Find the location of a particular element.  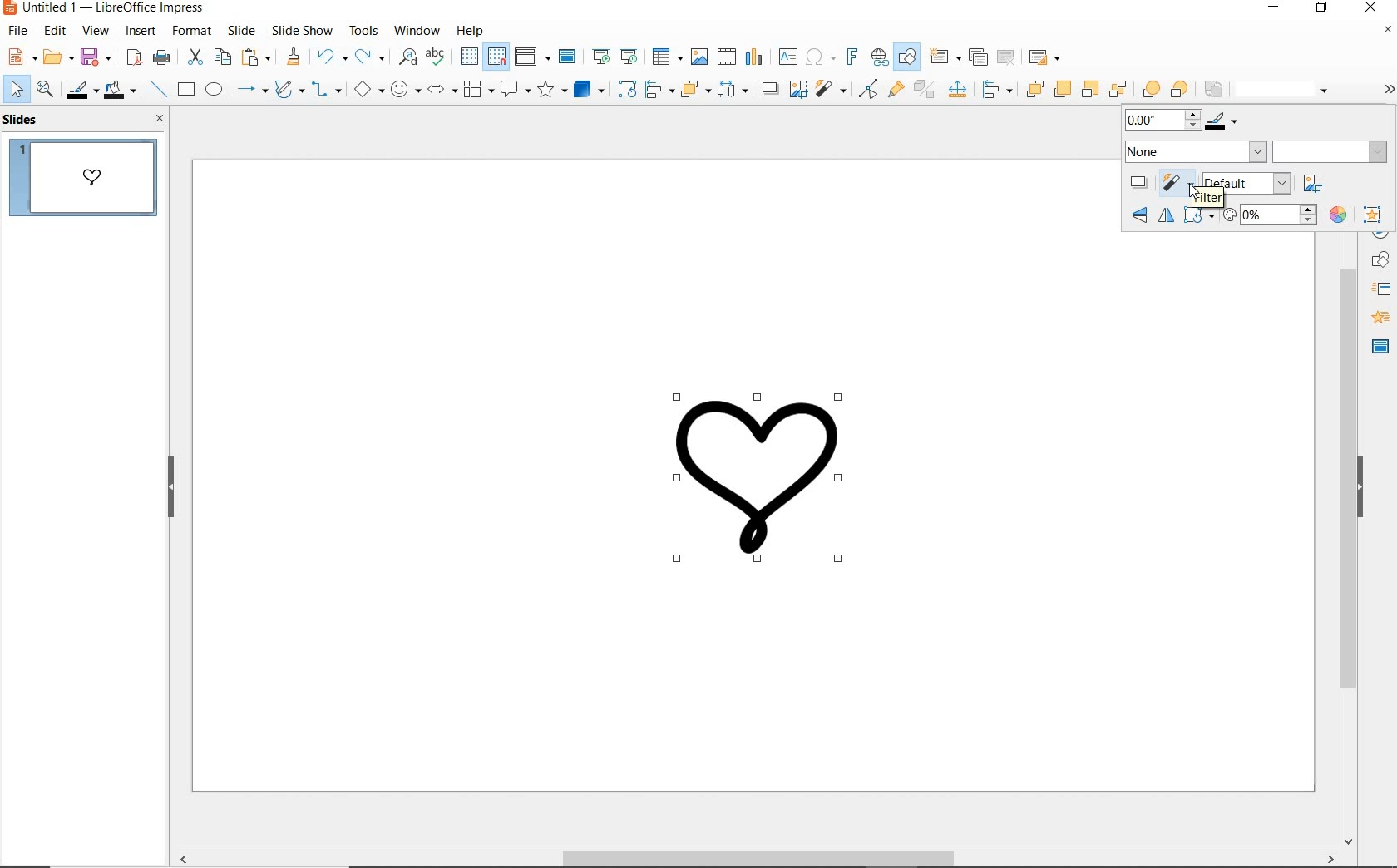

symbol shapes is located at coordinates (406, 91).